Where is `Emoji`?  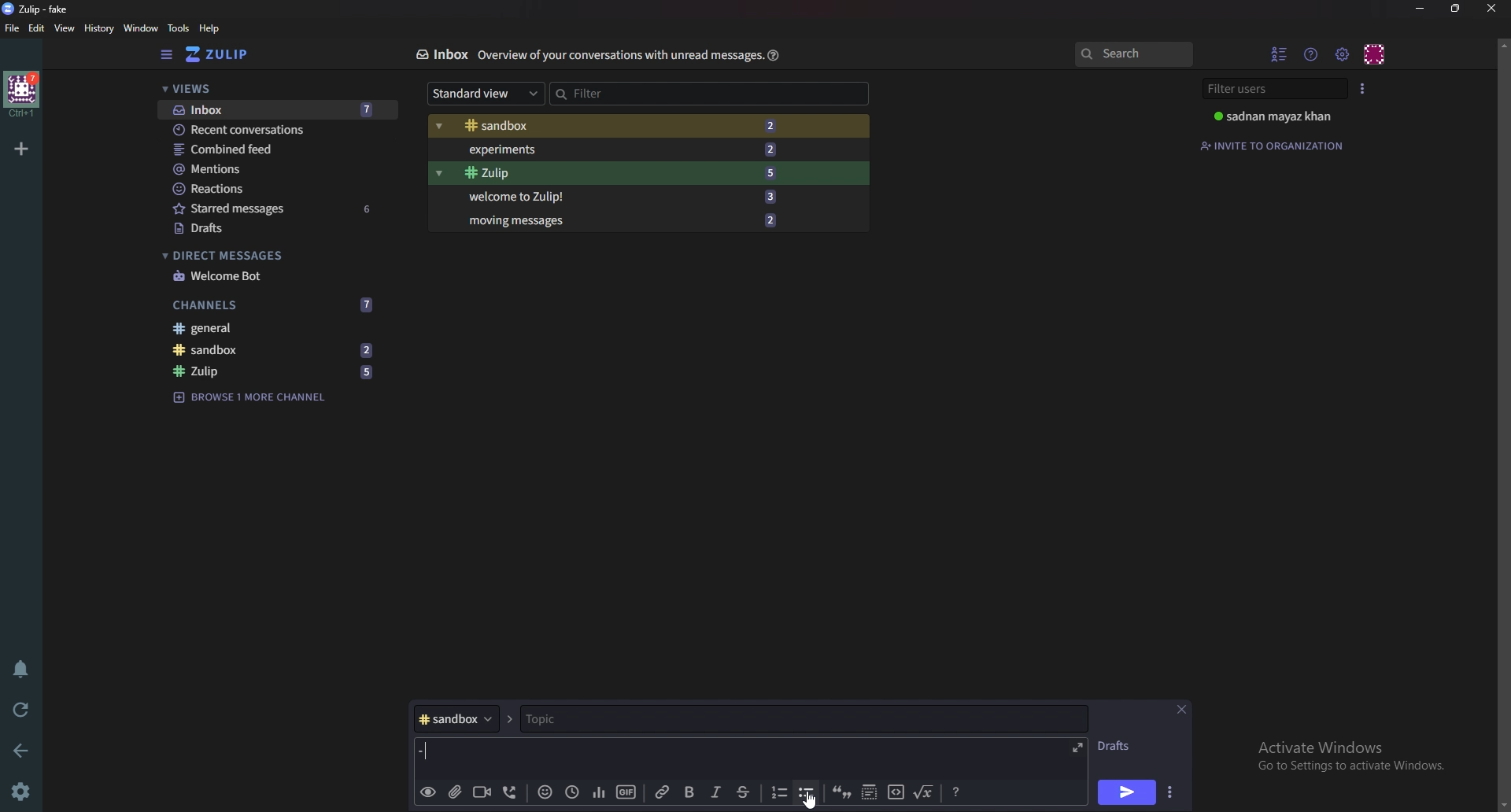
Emoji is located at coordinates (545, 791).